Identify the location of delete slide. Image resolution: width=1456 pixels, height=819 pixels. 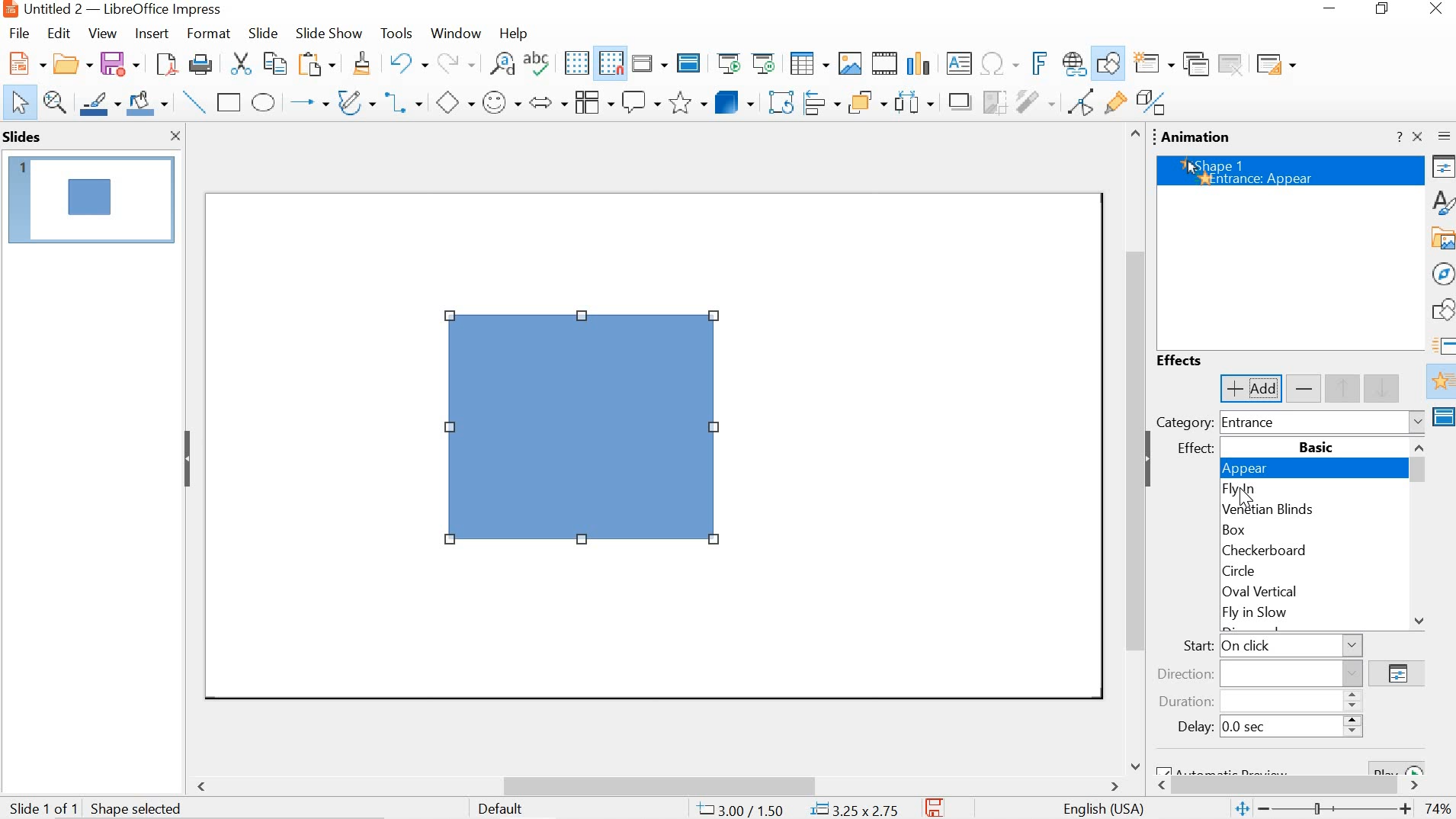
(1232, 66).